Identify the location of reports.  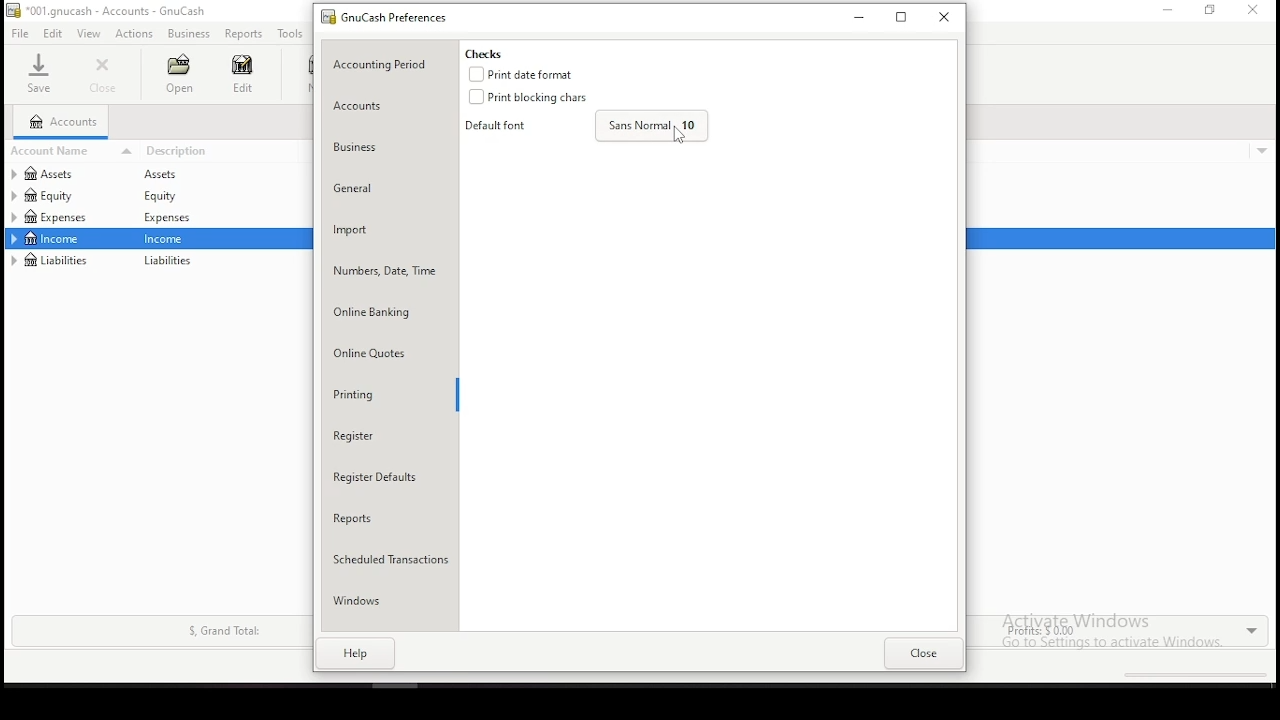
(243, 34).